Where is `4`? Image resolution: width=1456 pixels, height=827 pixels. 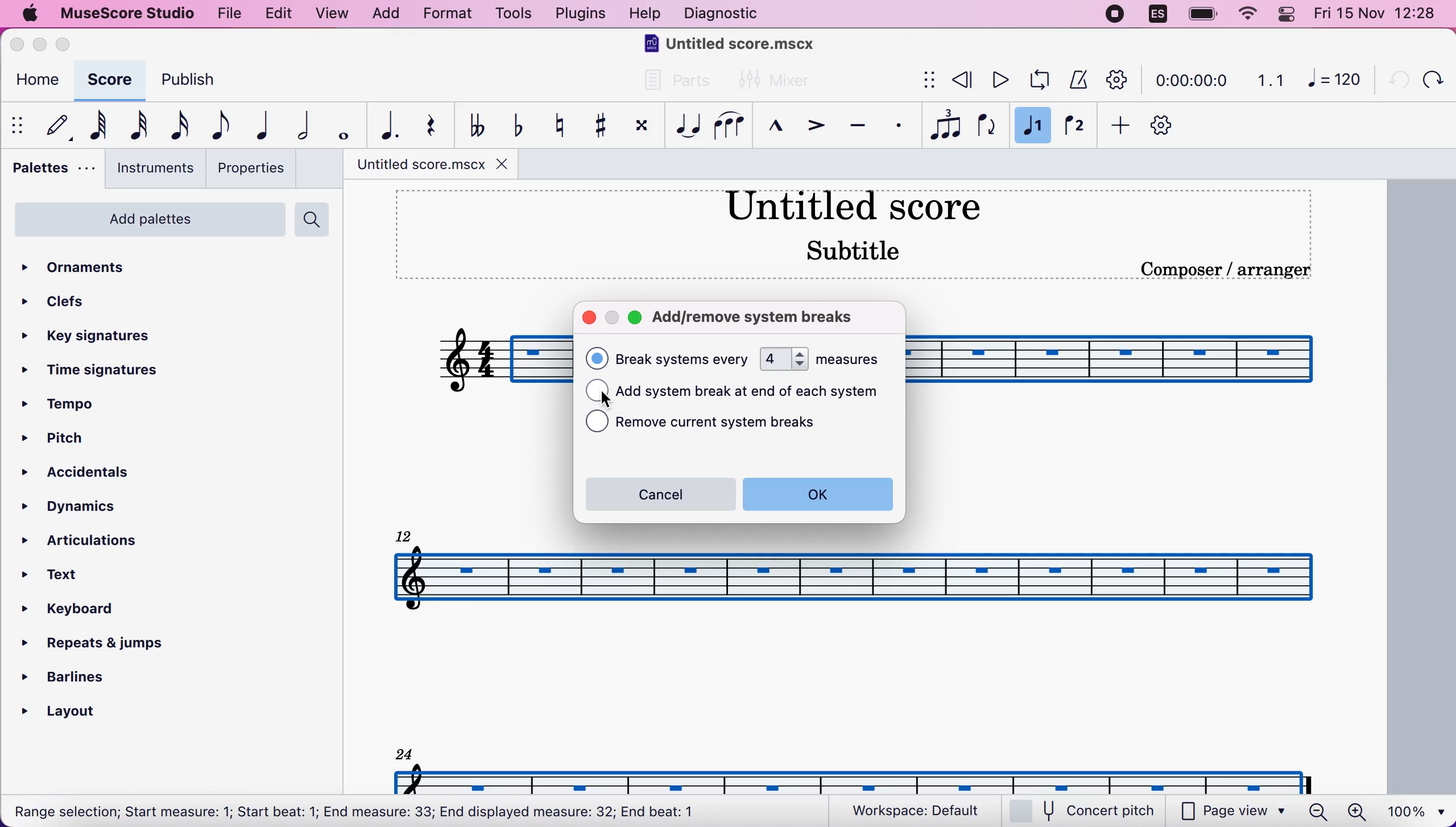
4 is located at coordinates (784, 359).